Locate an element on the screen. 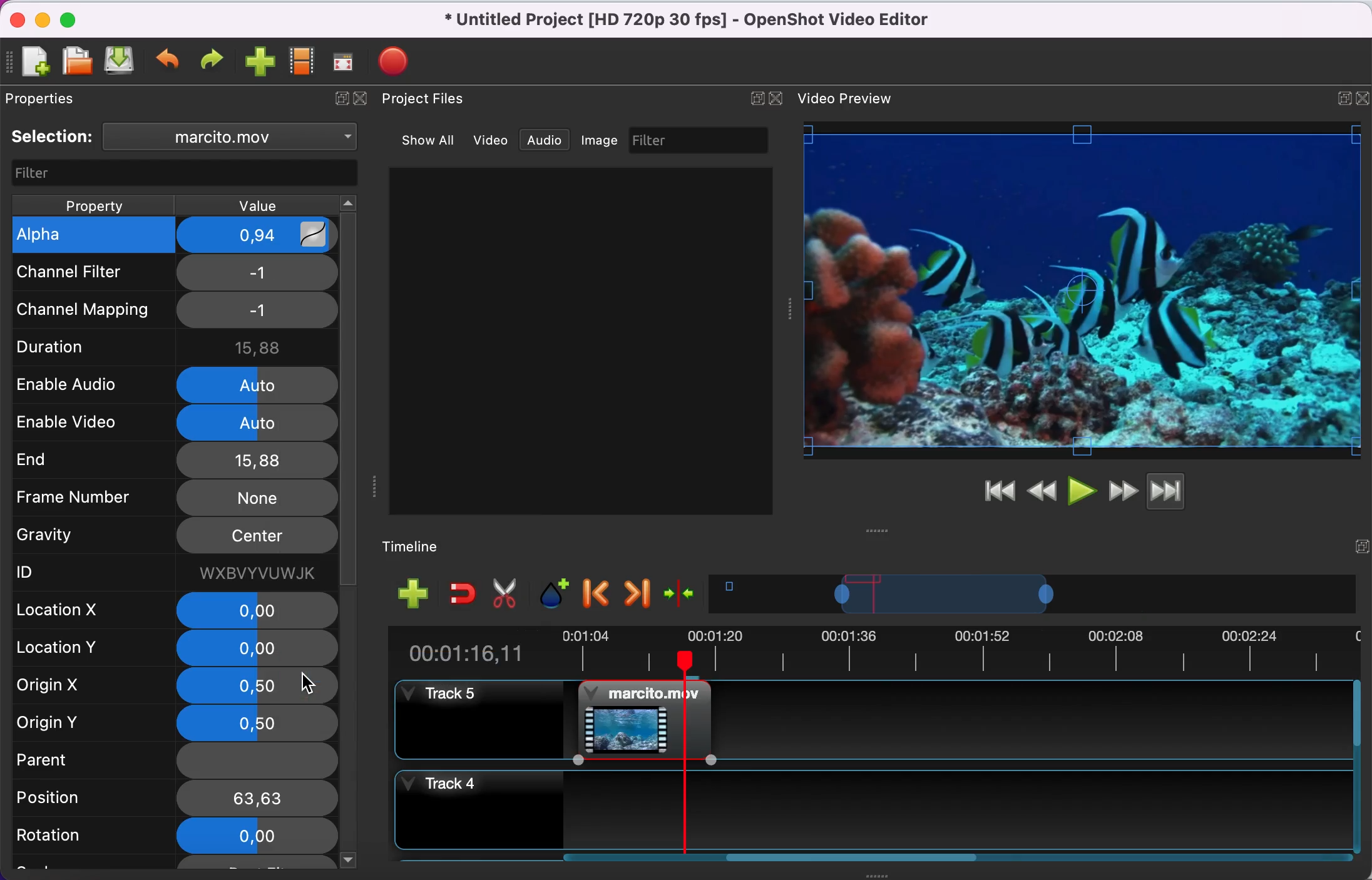  export file is located at coordinates (393, 60).